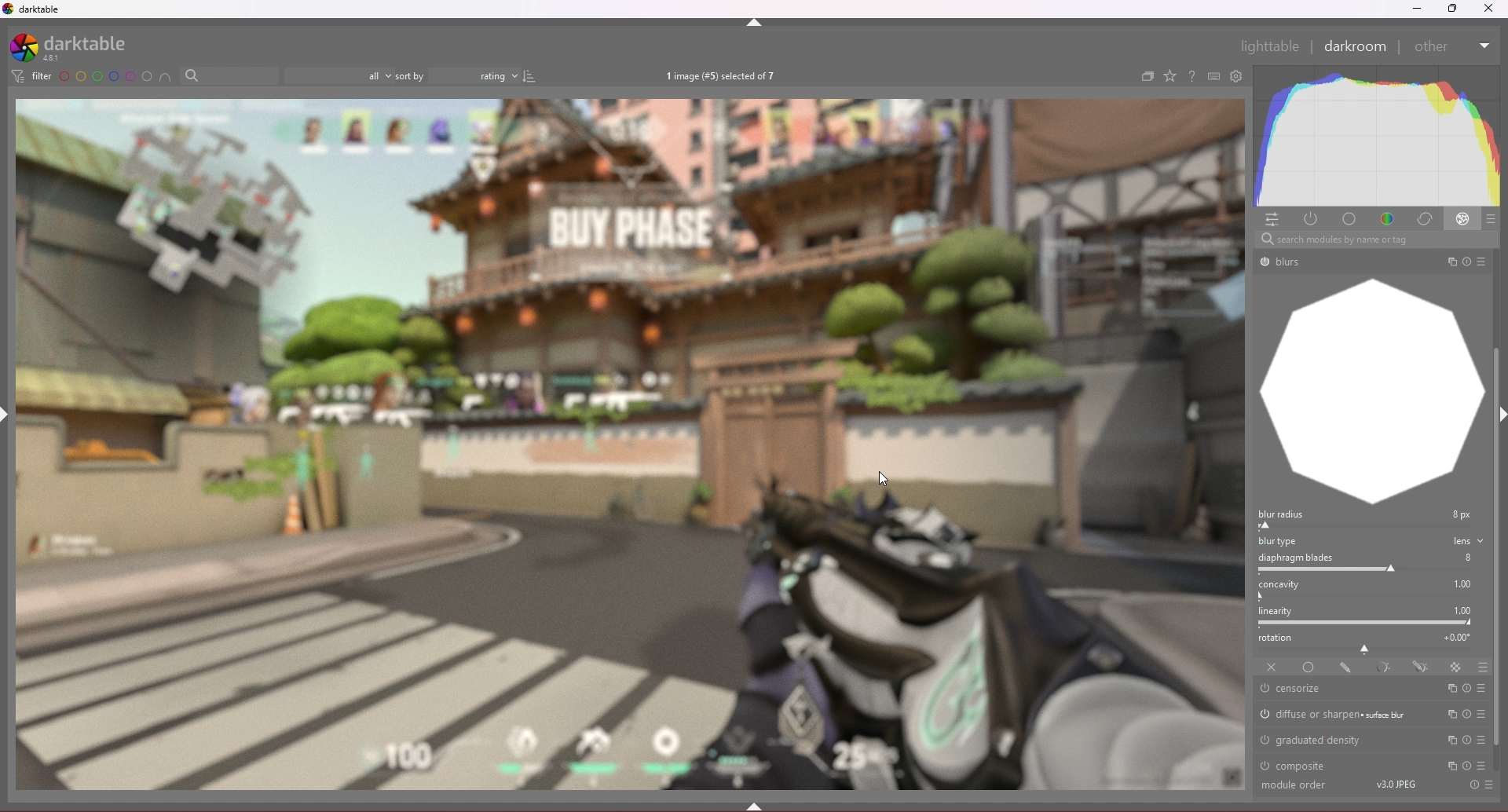  Describe the element at coordinates (1466, 714) in the screenshot. I see `reset` at that location.